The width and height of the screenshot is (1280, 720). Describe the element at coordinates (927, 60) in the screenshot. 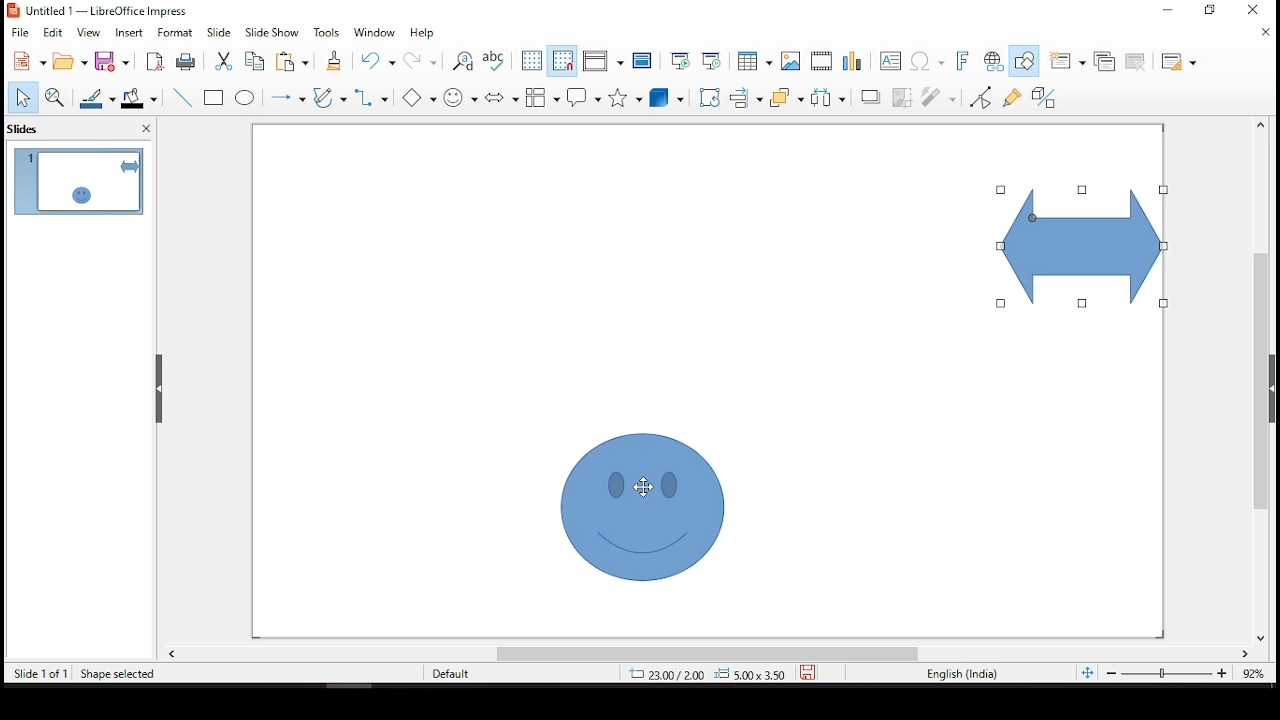

I see `insert special characters` at that location.